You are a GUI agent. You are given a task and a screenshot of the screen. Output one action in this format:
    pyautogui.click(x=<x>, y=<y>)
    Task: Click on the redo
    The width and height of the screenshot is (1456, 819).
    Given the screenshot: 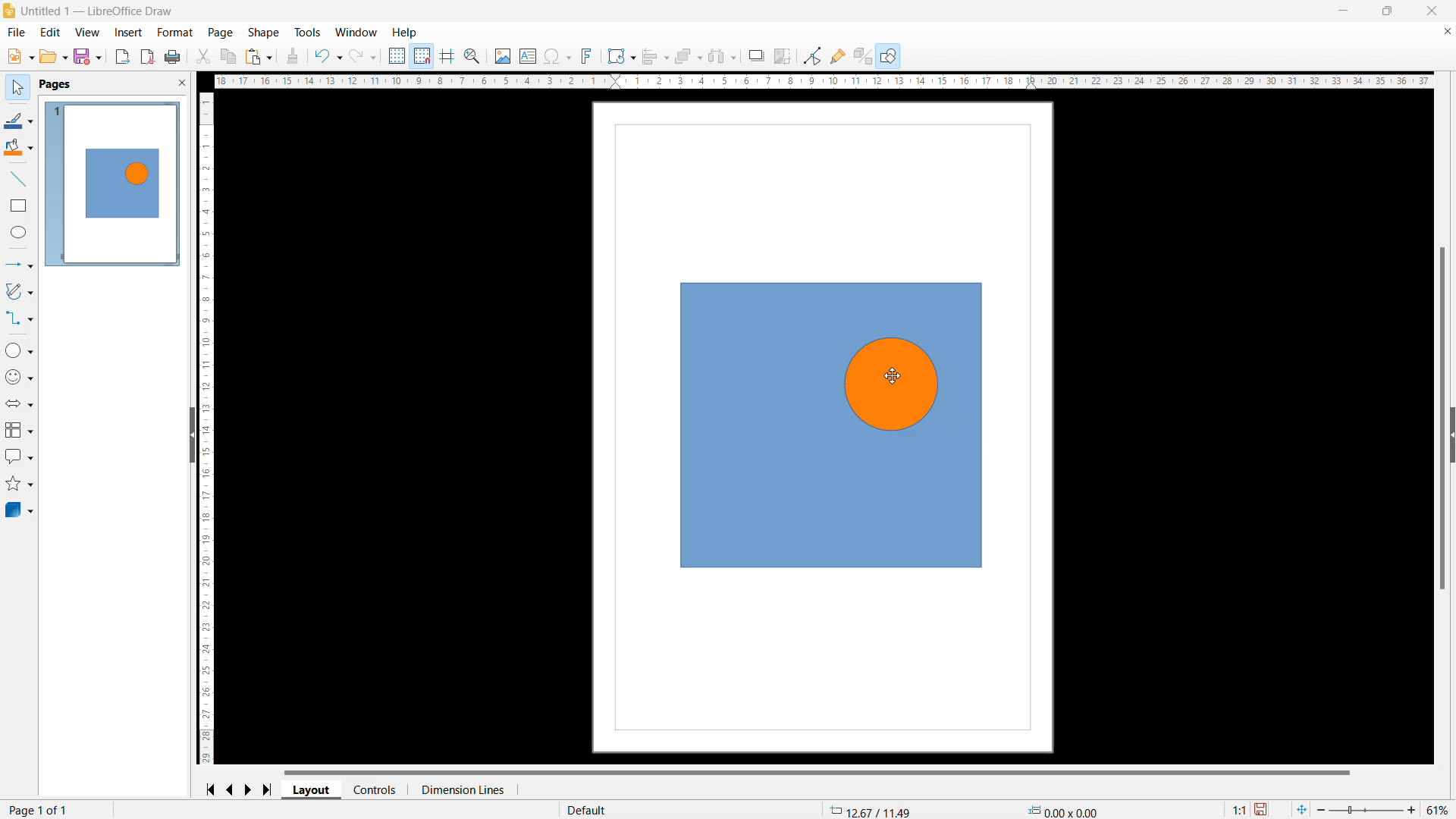 What is the action you would take?
    pyautogui.click(x=362, y=55)
    